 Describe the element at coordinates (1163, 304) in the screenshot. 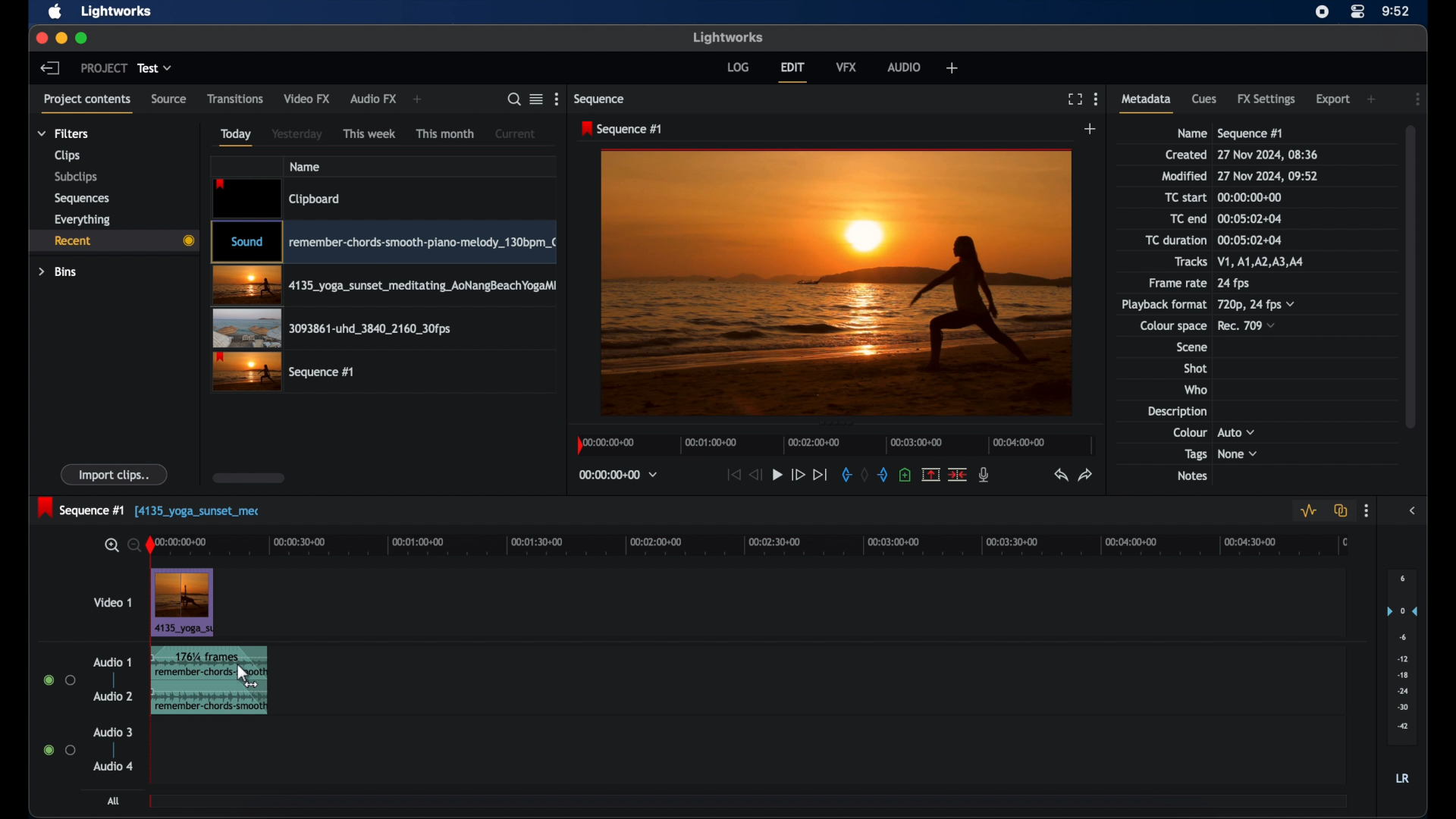

I see `playback format` at that location.